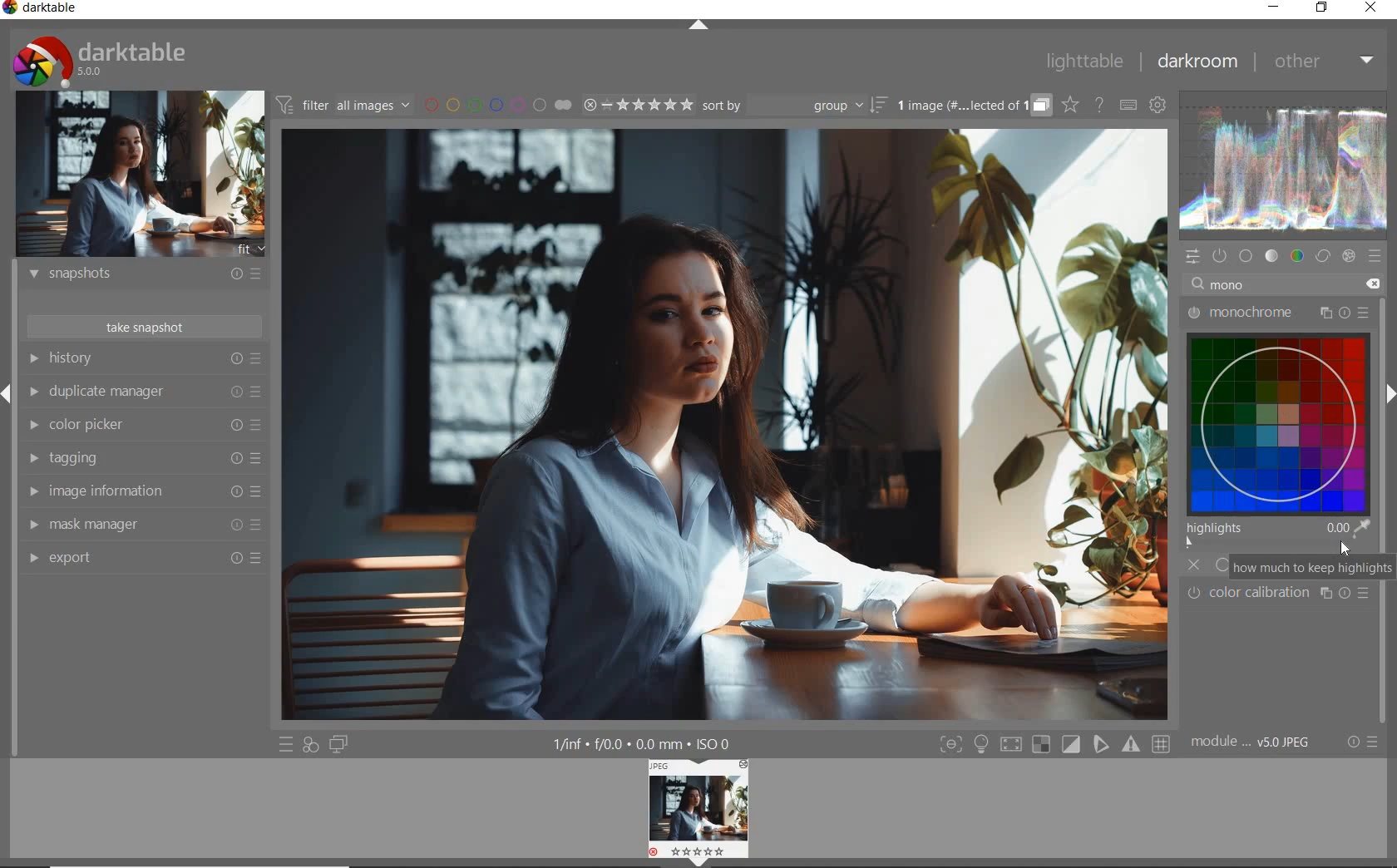 The image size is (1397, 868). What do you see at coordinates (1279, 308) in the screenshot?
I see `monochrome` at bounding box center [1279, 308].